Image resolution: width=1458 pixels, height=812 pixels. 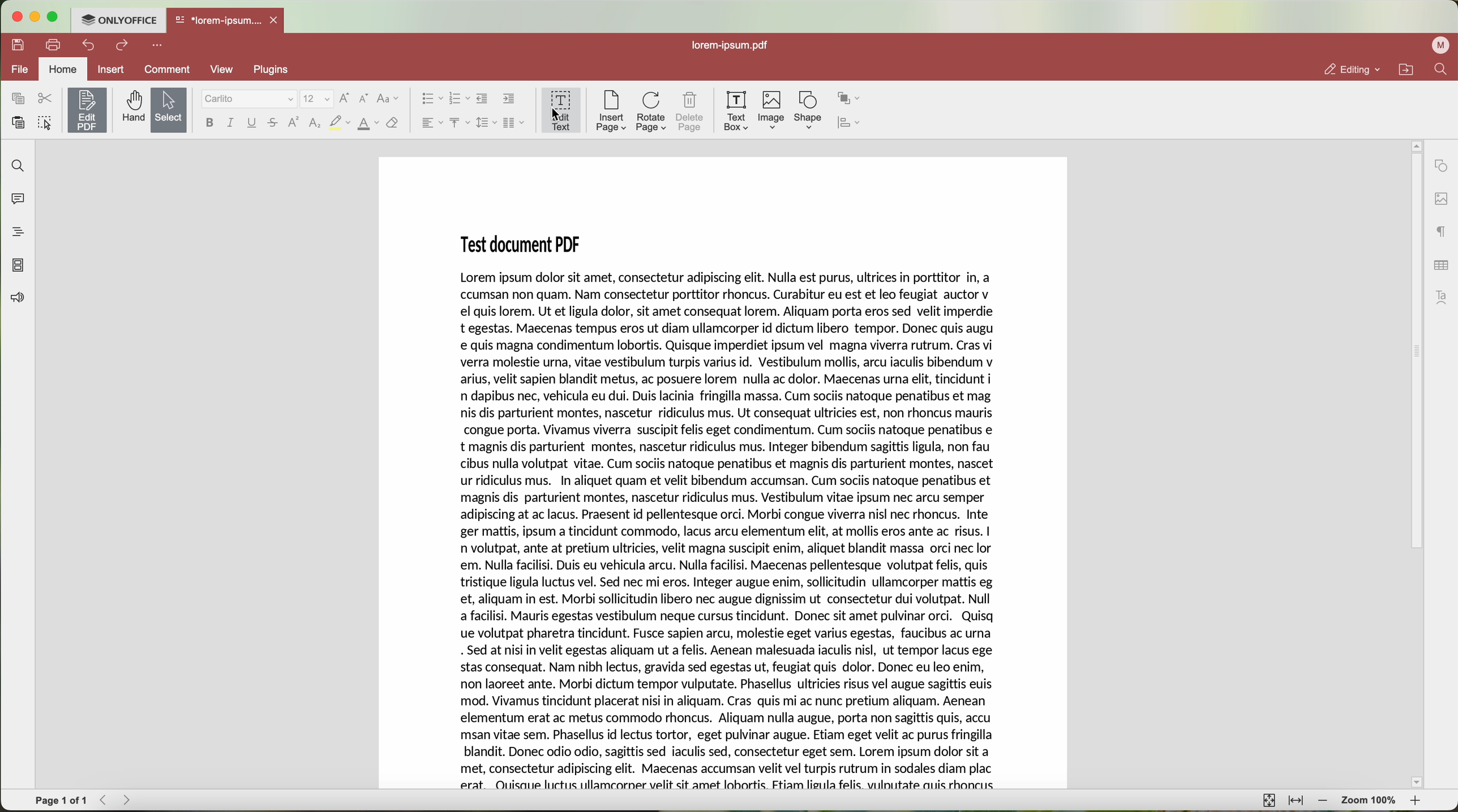 What do you see at coordinates (482, 98) in the screenshot?
I see `decrease indent` at bounding box center [482, 98].